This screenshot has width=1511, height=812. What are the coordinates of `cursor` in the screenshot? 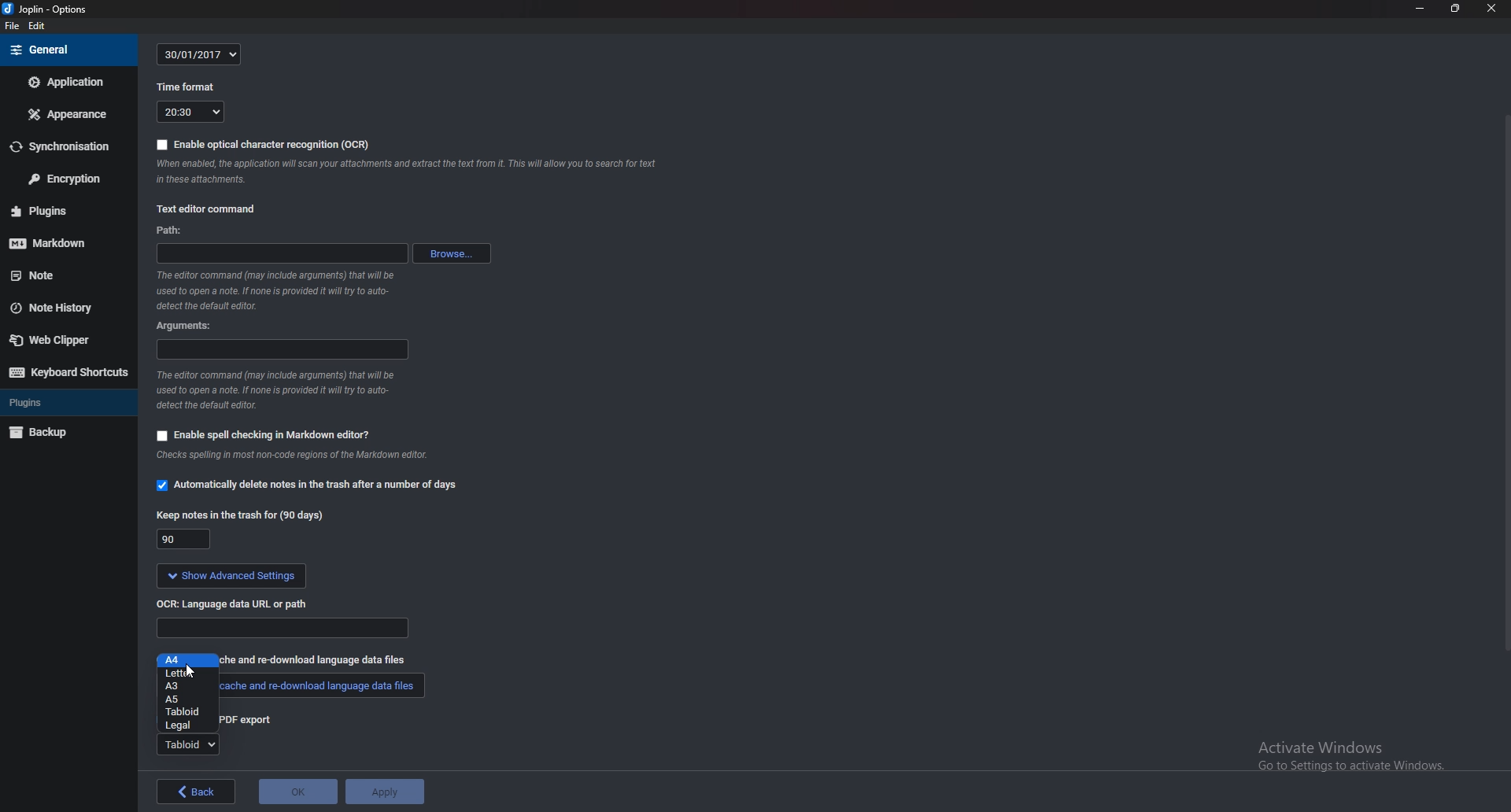 It's located at (190, 675).